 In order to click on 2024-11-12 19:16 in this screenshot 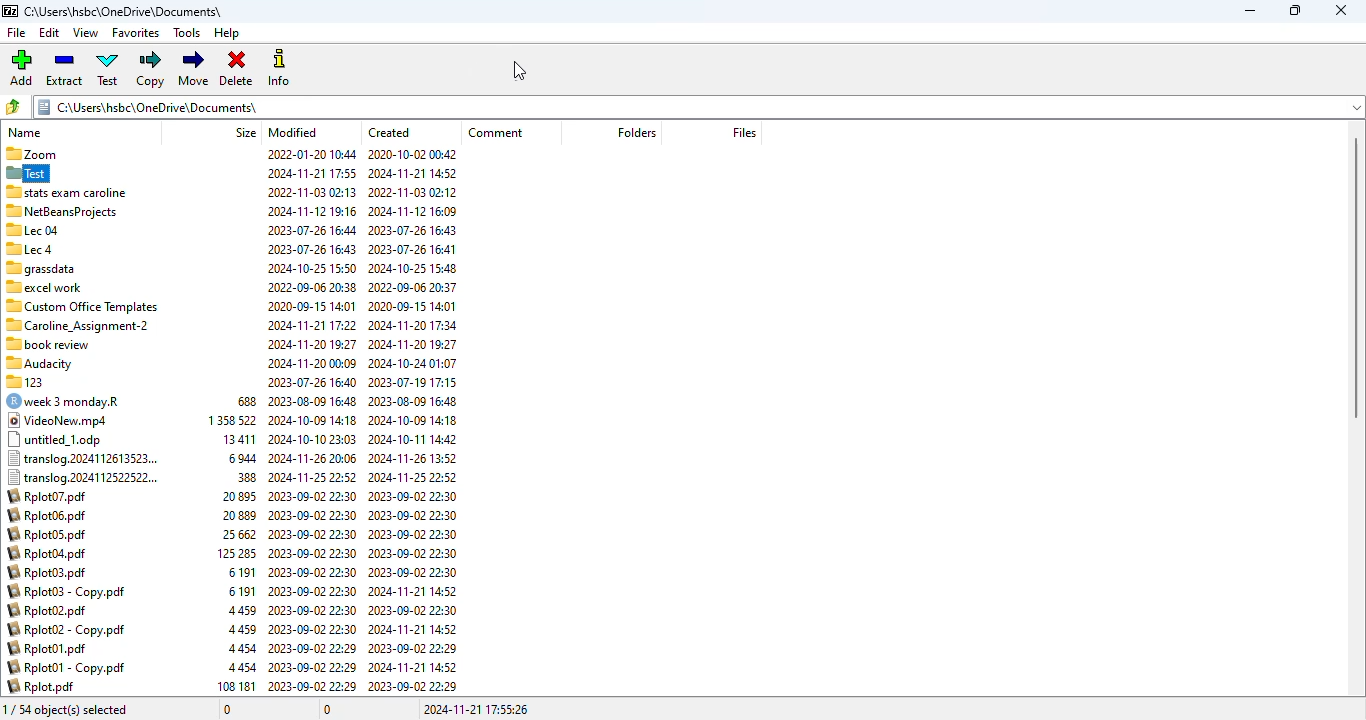, I will do `click(313, 211)`.